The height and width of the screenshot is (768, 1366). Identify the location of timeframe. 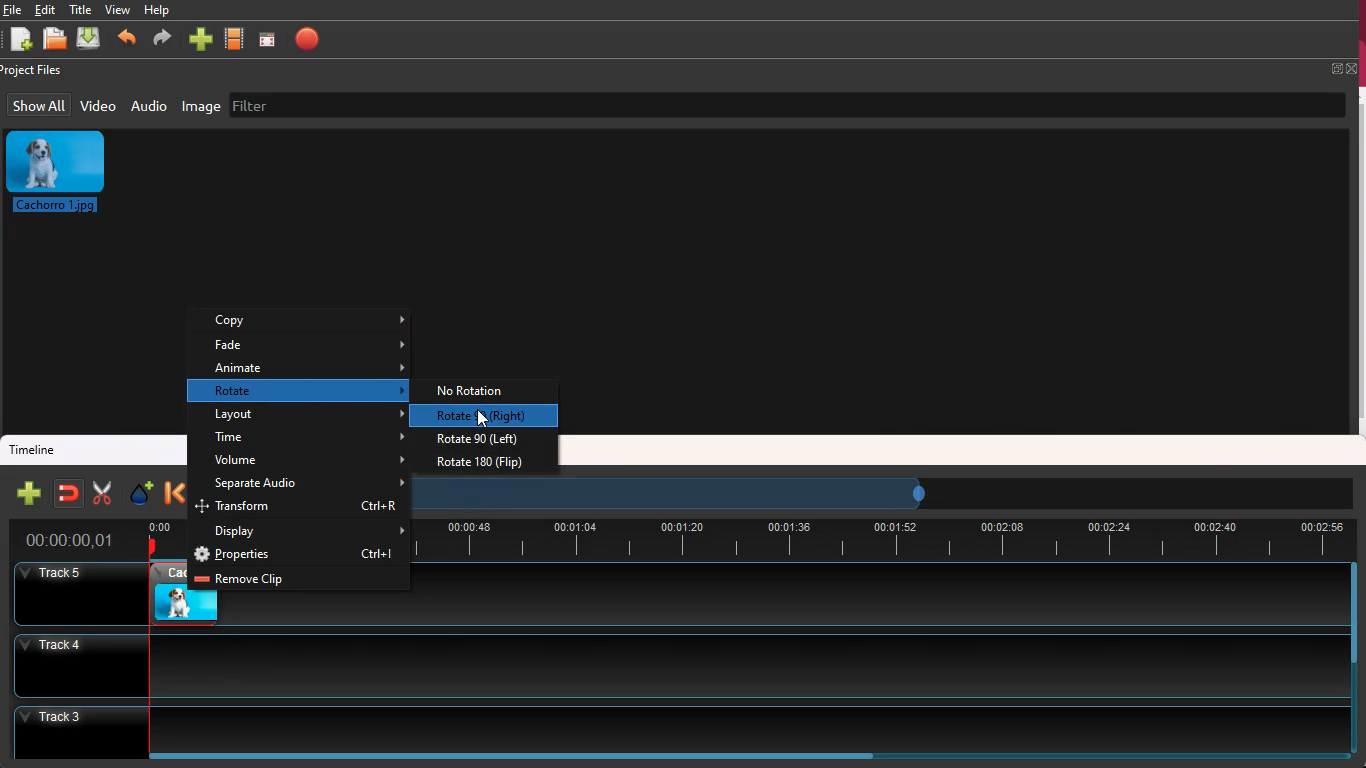
(674, 495).